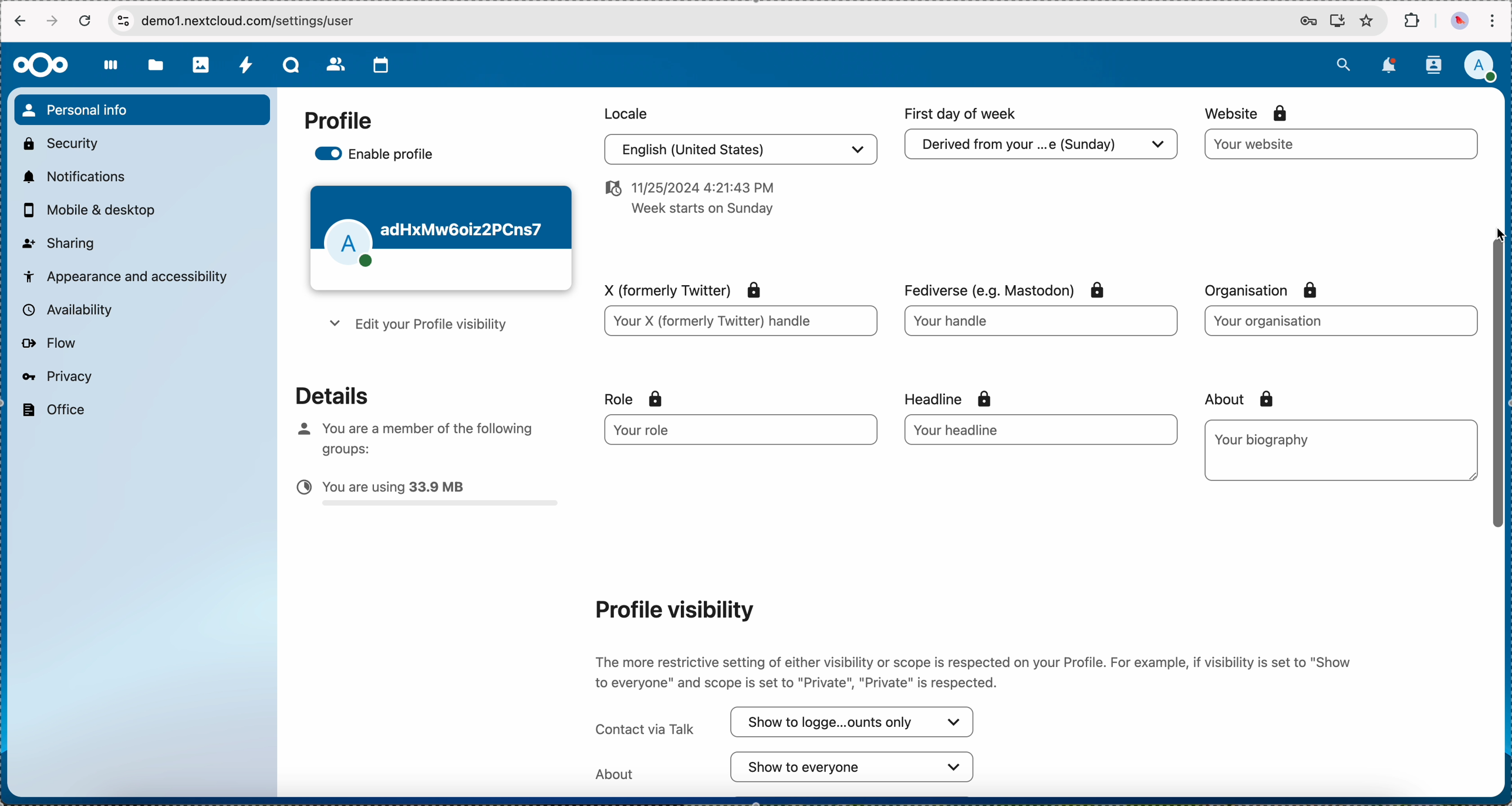 Image resolution: width=1512 pixels, height=806 pixels. What do you see at coordinates (377, 155) in the screenshot?
I see `enable profile` at bounding box center [377, 155].